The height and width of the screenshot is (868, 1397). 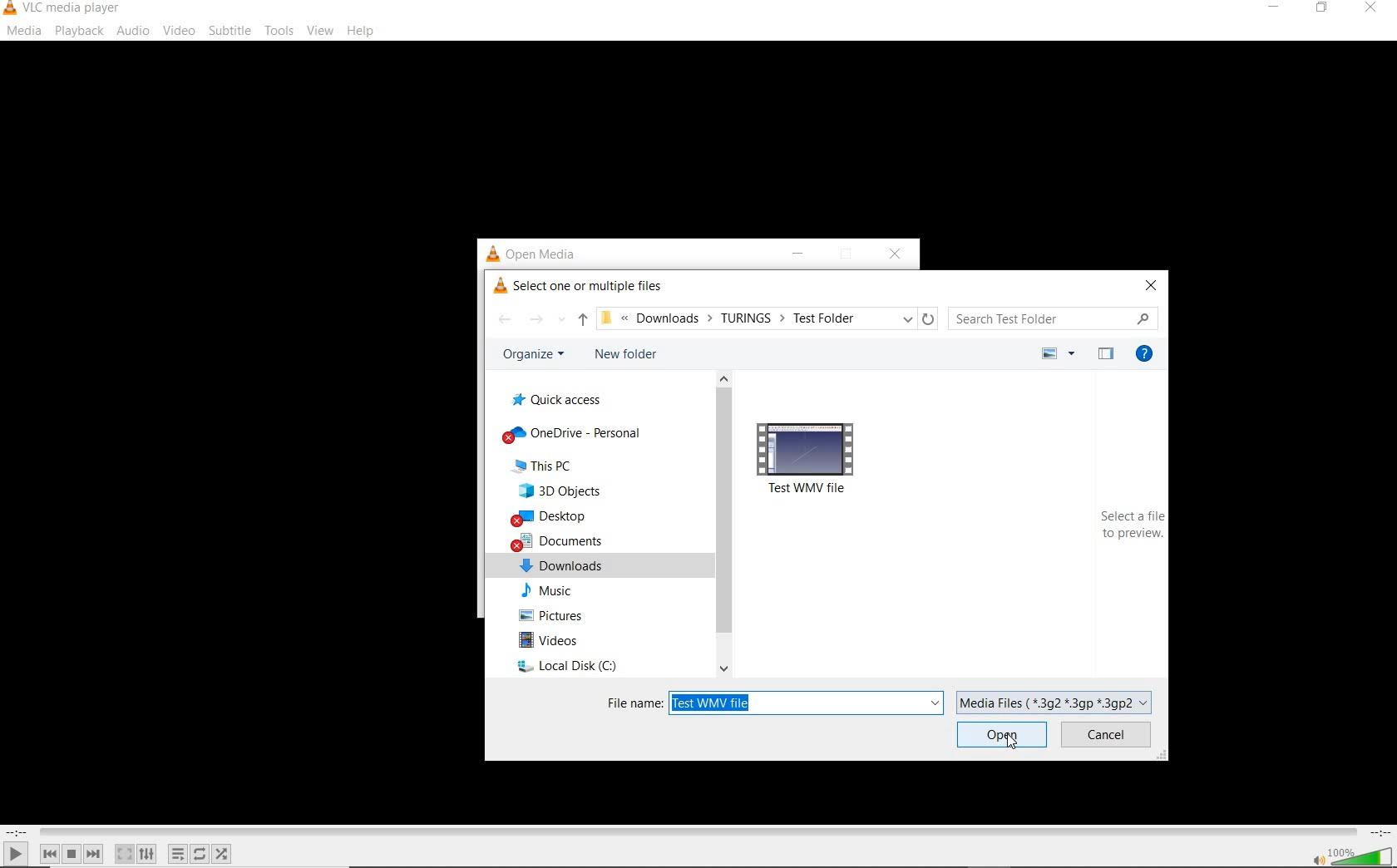 What do you see at coordinates (533, 318) in the screenshot?
I see `forward` at bounding box center [533, 318].